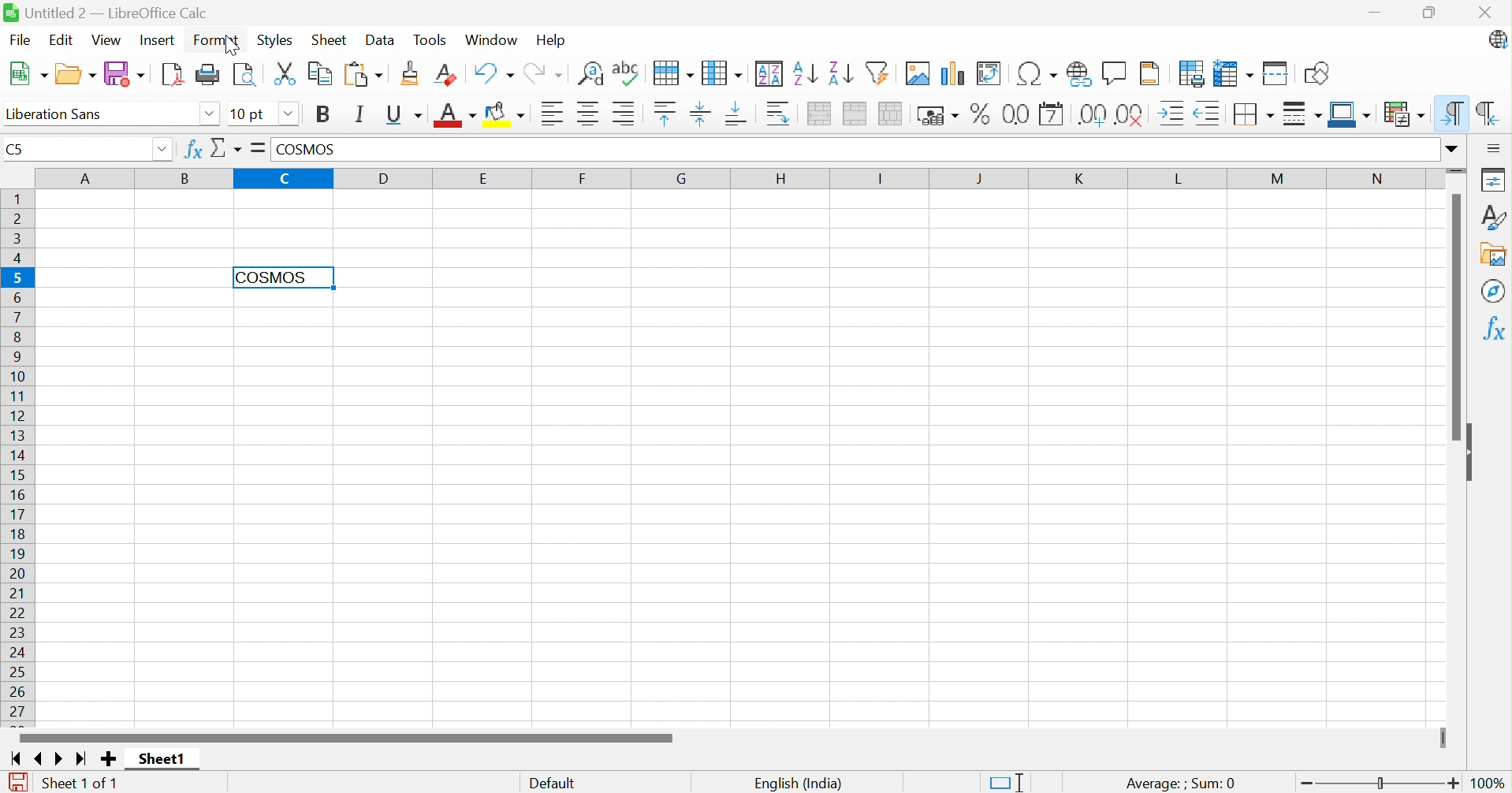 The height and width of the screenshot is (793, 1512). I want to click on Define Print Area, so click(1190, 73).